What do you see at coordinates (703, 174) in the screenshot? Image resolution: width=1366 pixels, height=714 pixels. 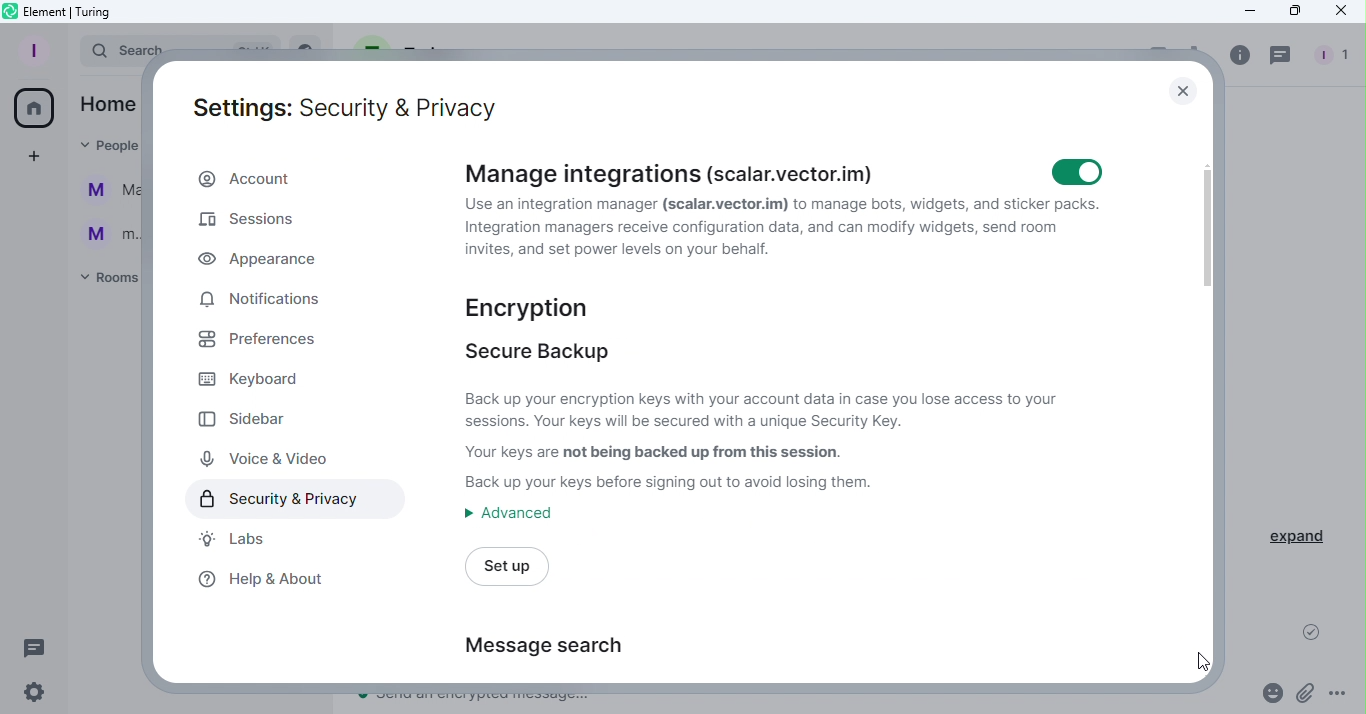 I see `Manage integrations` at bounding box center [703, 174].